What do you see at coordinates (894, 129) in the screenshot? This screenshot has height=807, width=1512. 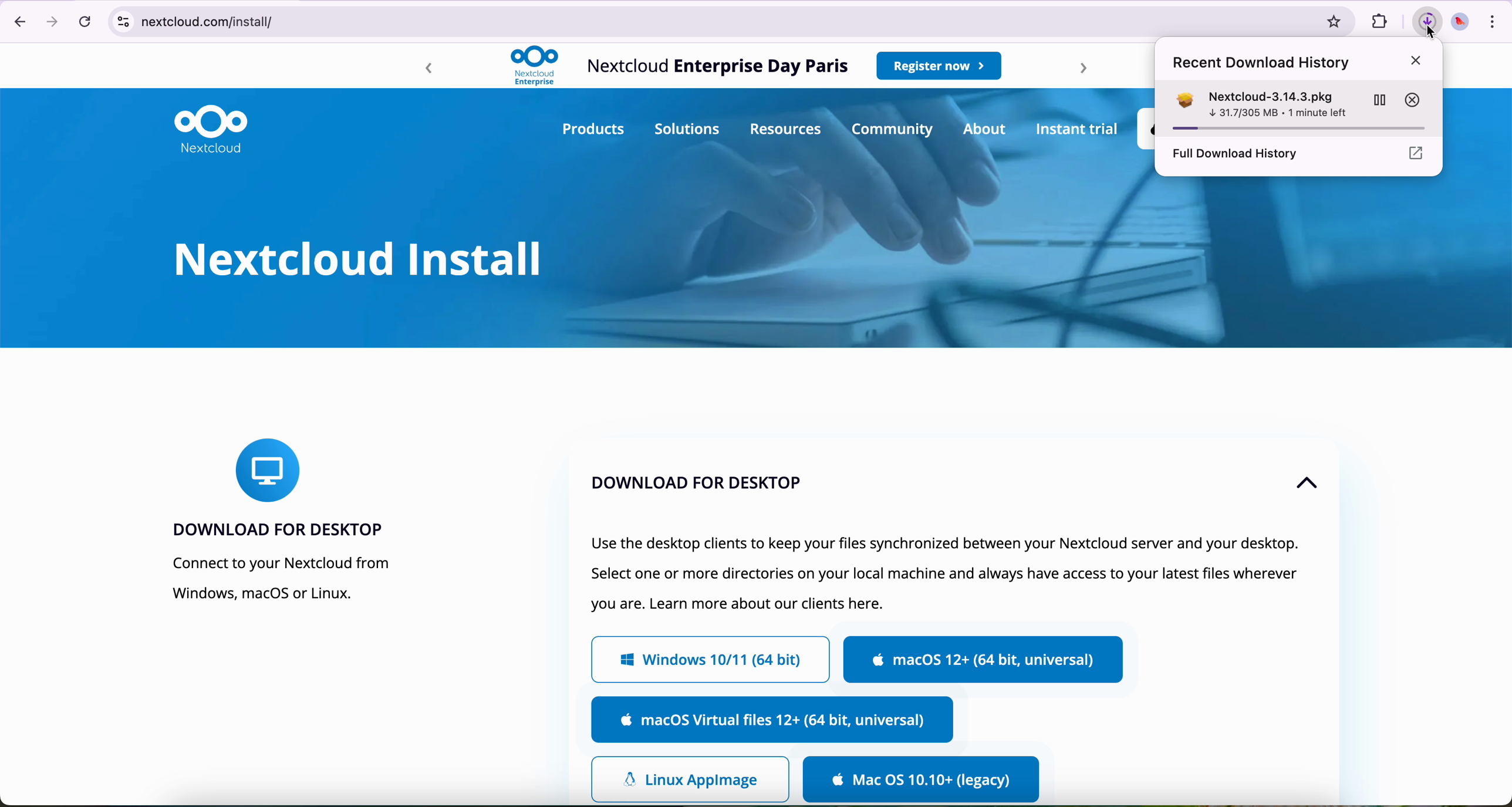 I see `community` at bounding box center [894, 129].